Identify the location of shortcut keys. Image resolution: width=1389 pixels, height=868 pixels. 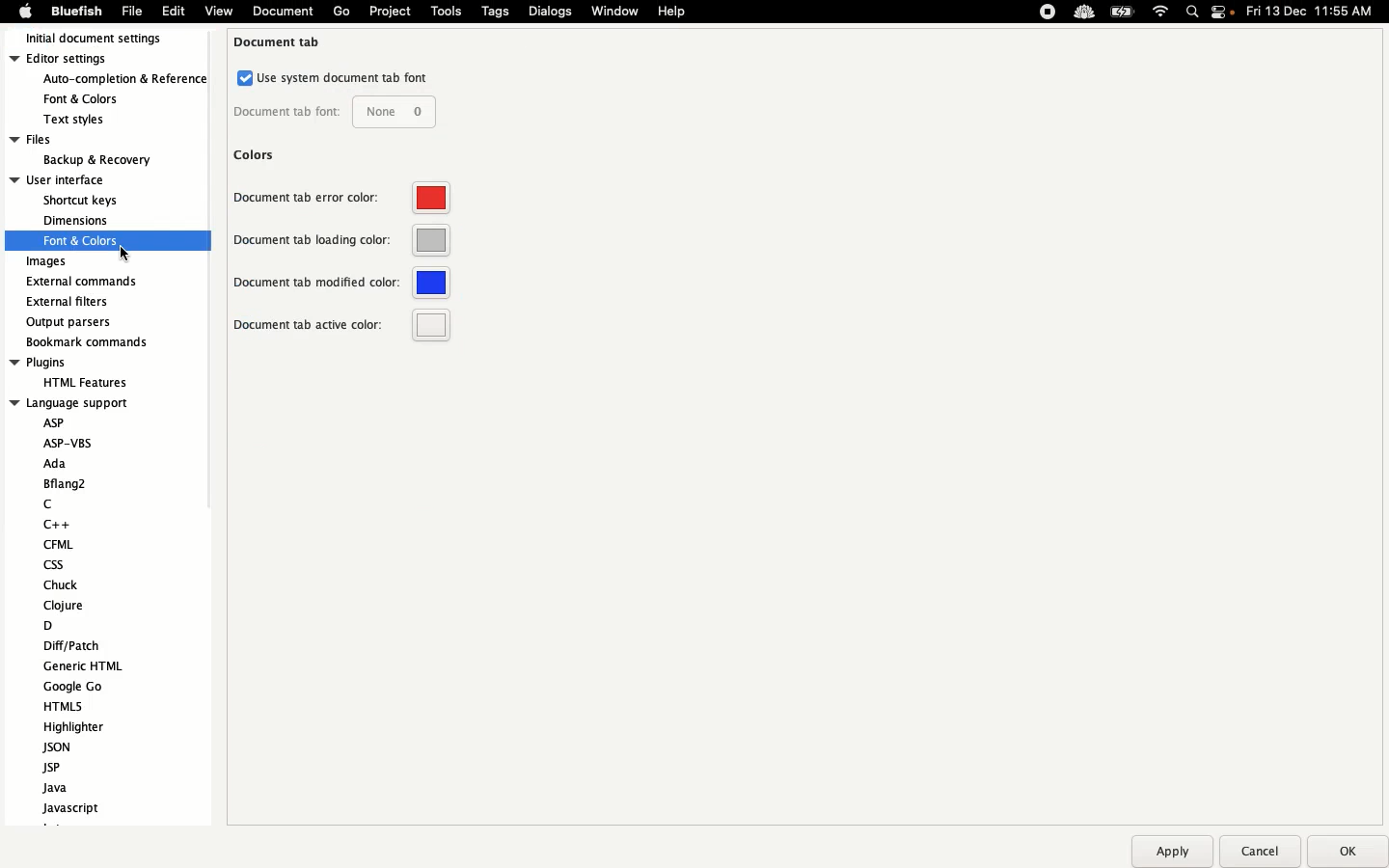
(82, 202).